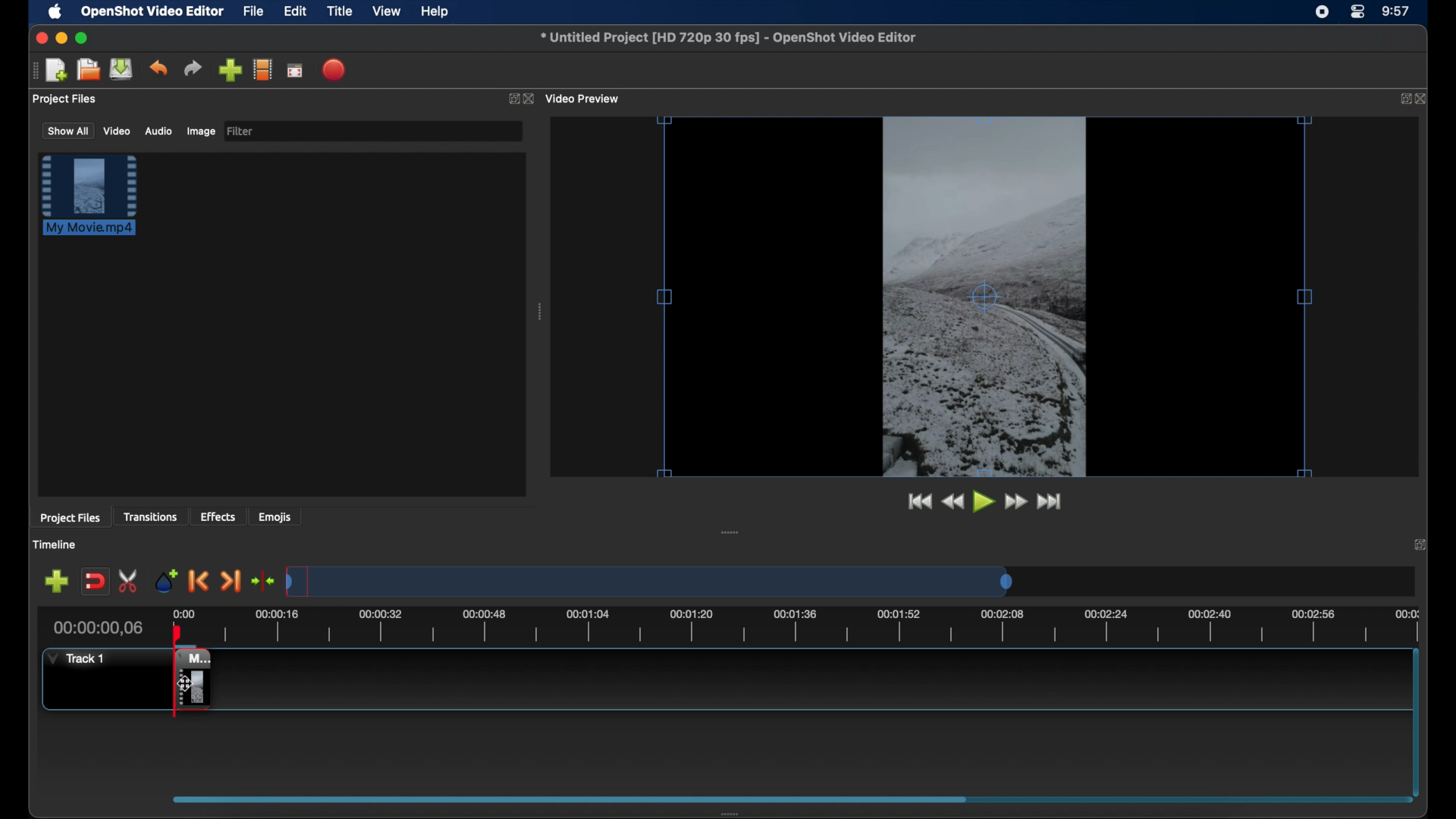  What do you see at coordinates (1017, 502) in the screenshot?
I see `fast forward` at bounding box center [1017, 502].